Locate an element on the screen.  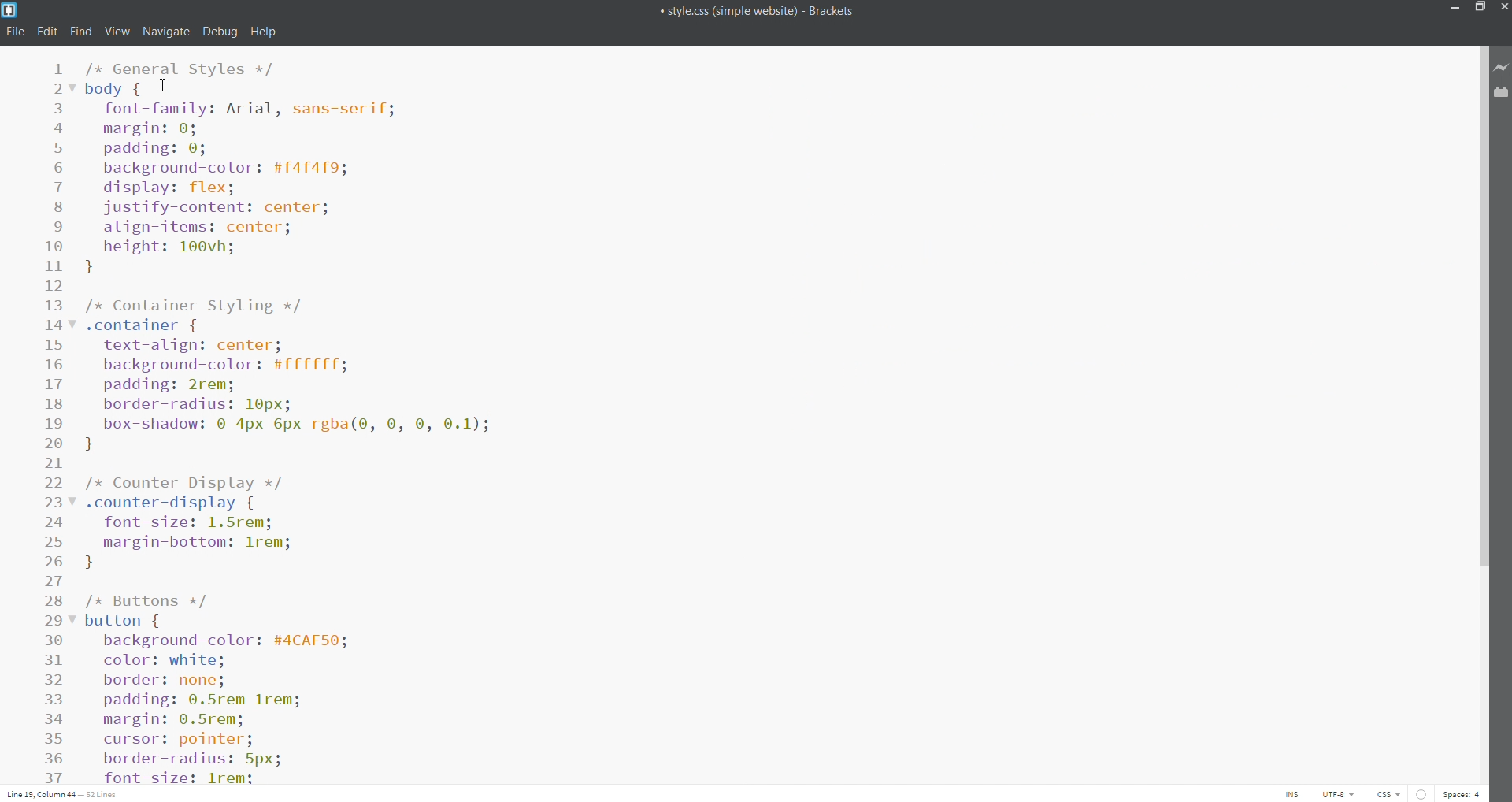
help is located at coordinates (265, 32).